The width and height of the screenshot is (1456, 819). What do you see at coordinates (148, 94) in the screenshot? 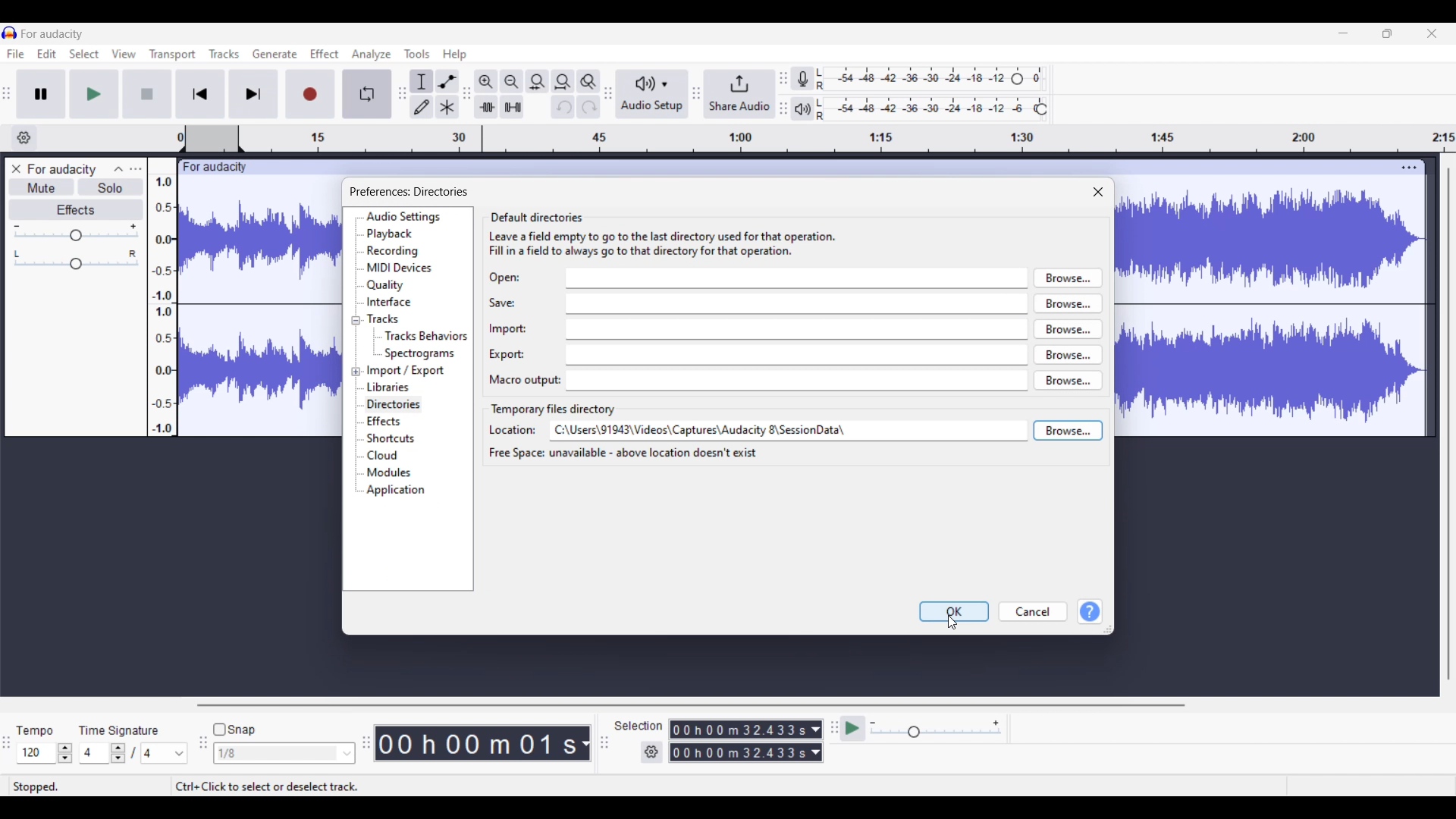
I see `Stop` at bounding box center [148, 94].